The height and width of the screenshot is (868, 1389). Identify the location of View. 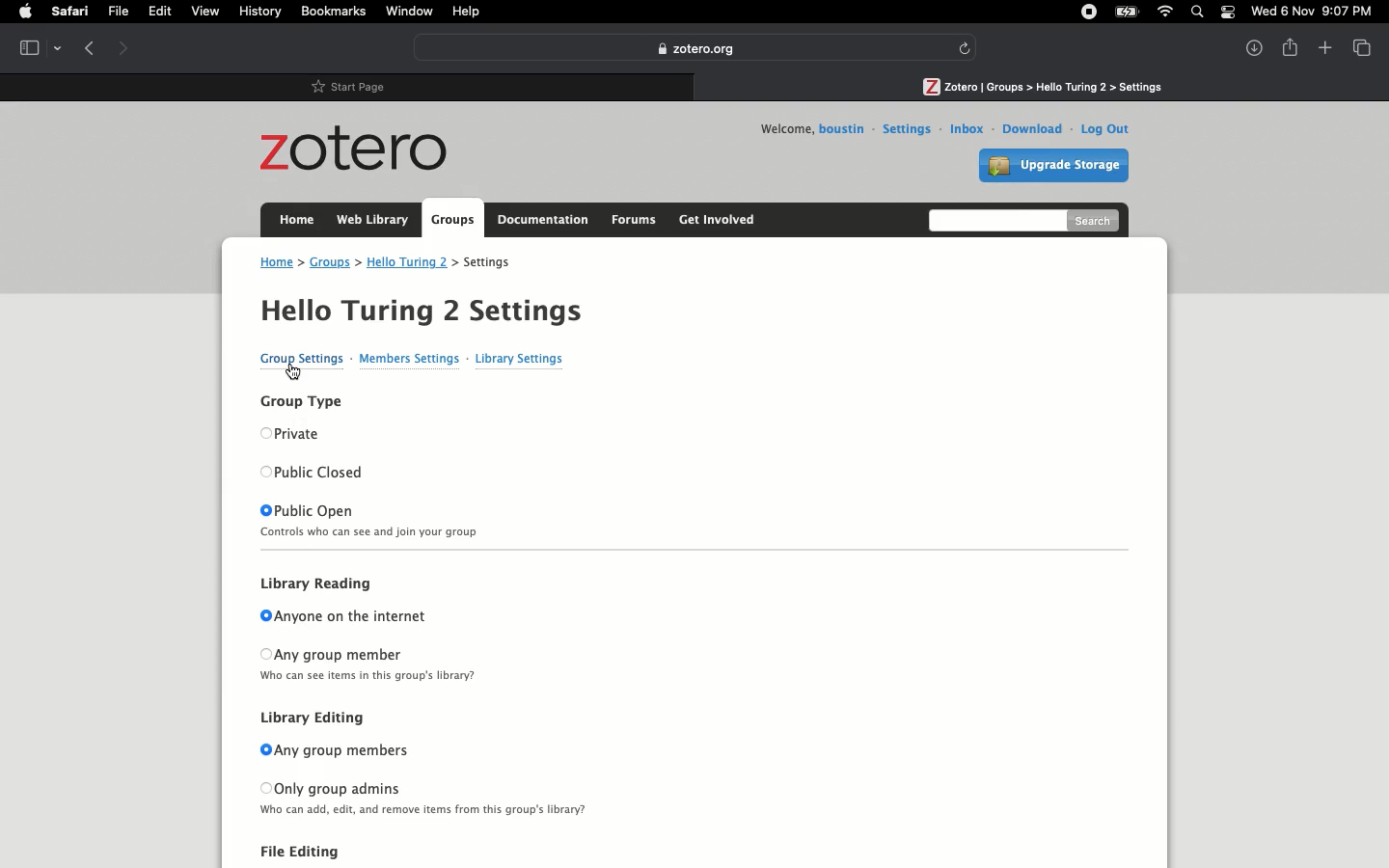
(1360, 46).